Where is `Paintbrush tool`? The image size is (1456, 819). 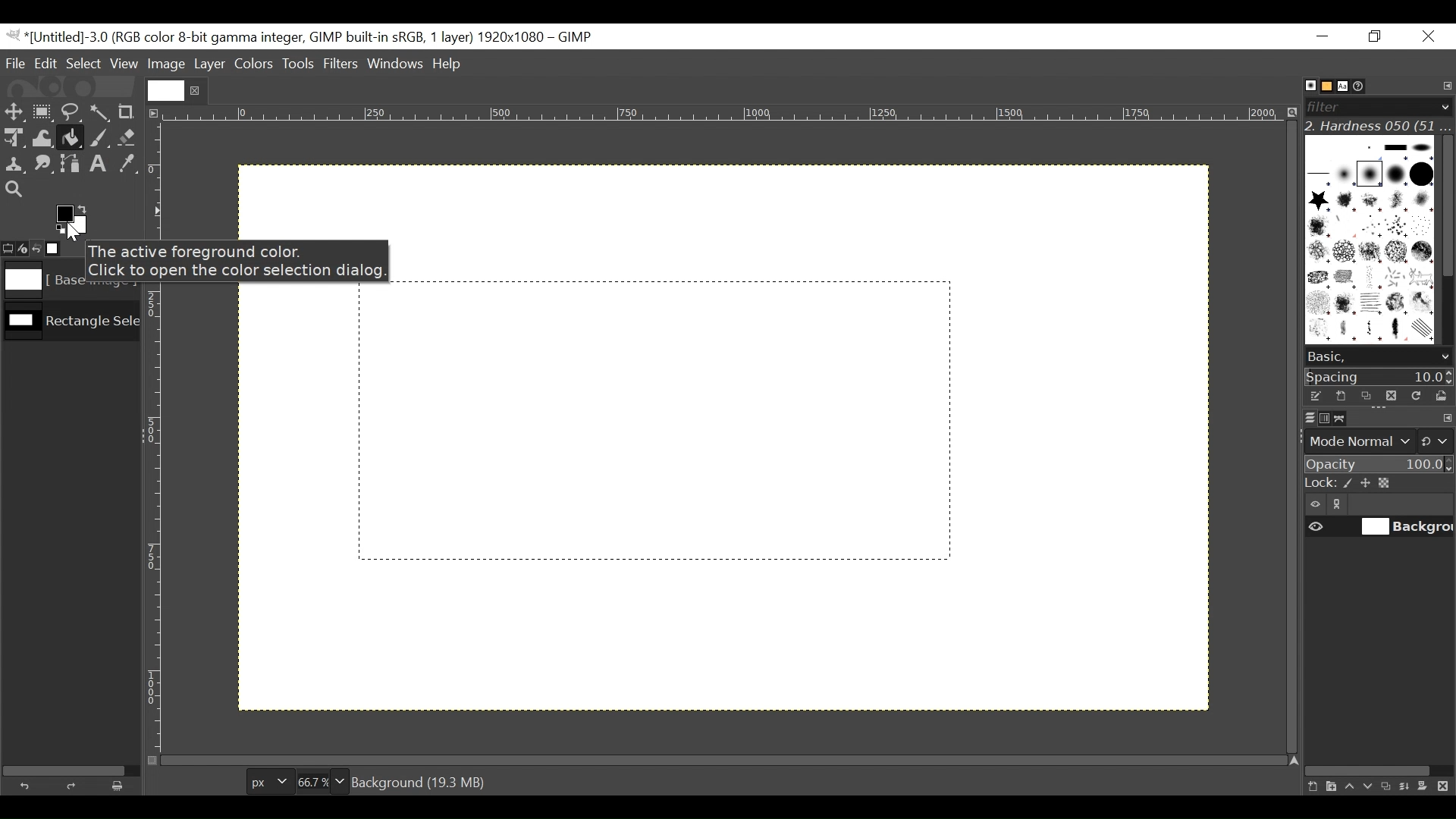
Paintbrush tool is located at coordinates (99, 140).